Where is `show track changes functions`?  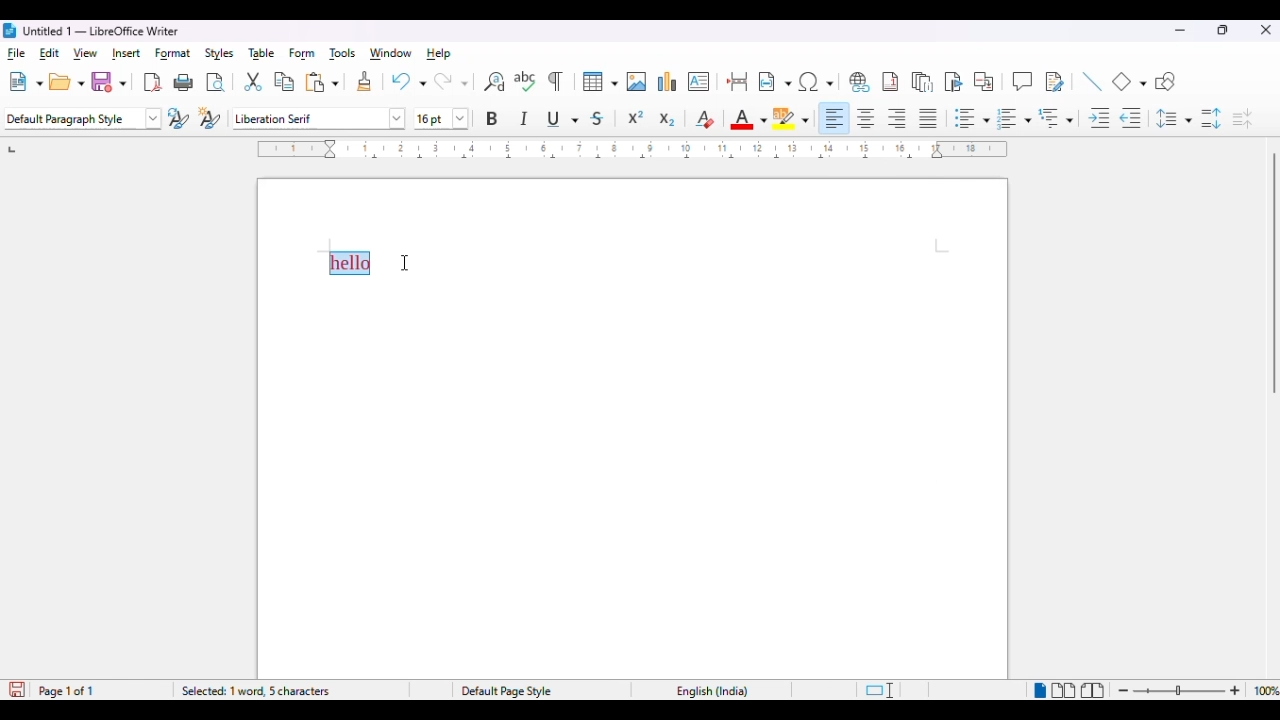
show track changes functions is located at coordinates (1054, 82).